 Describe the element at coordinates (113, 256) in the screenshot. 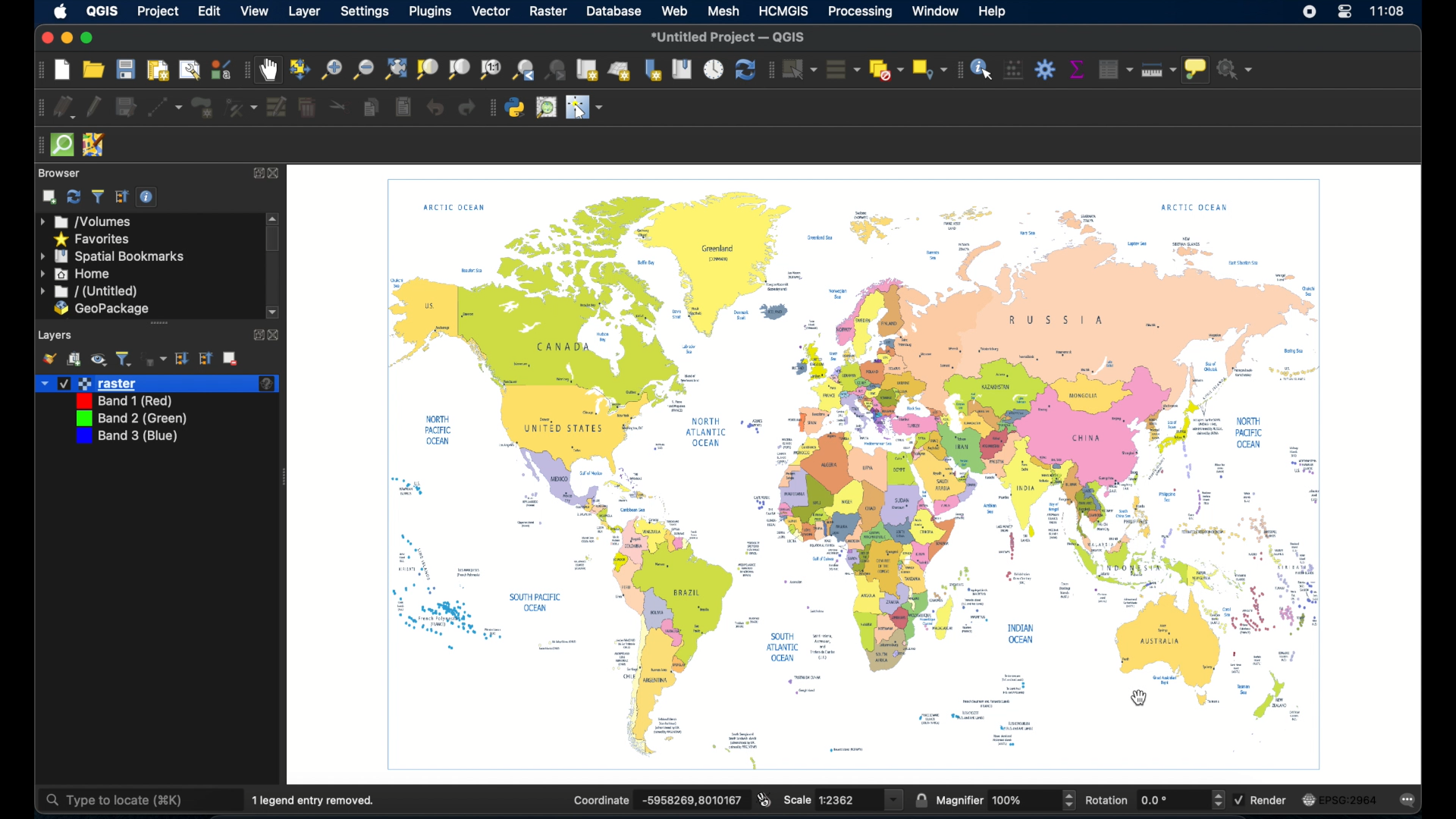

I see `spatial bookmarks` at that location.